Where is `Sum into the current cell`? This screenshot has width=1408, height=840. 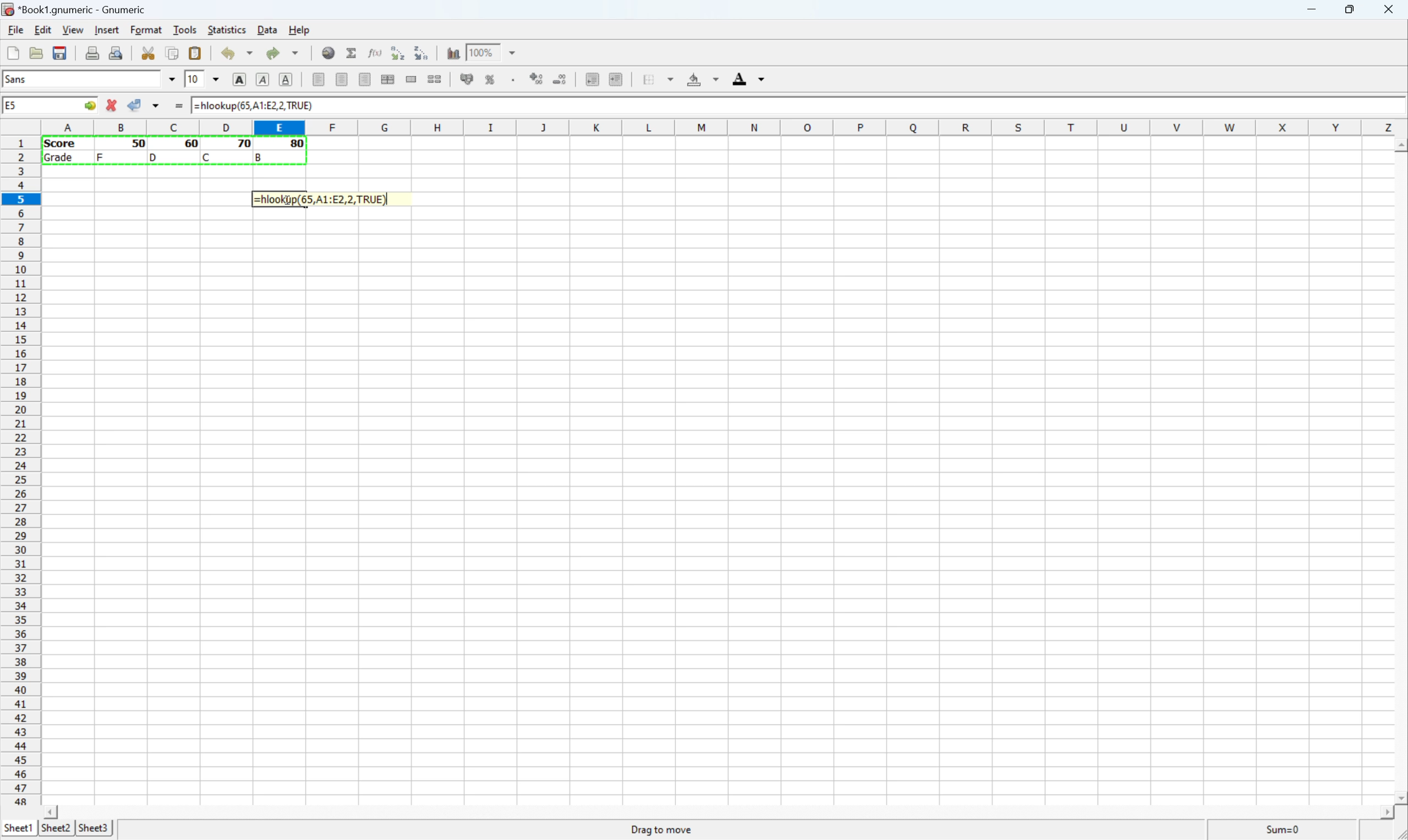 Sum into the current cell is located at coordinates (352, 54).